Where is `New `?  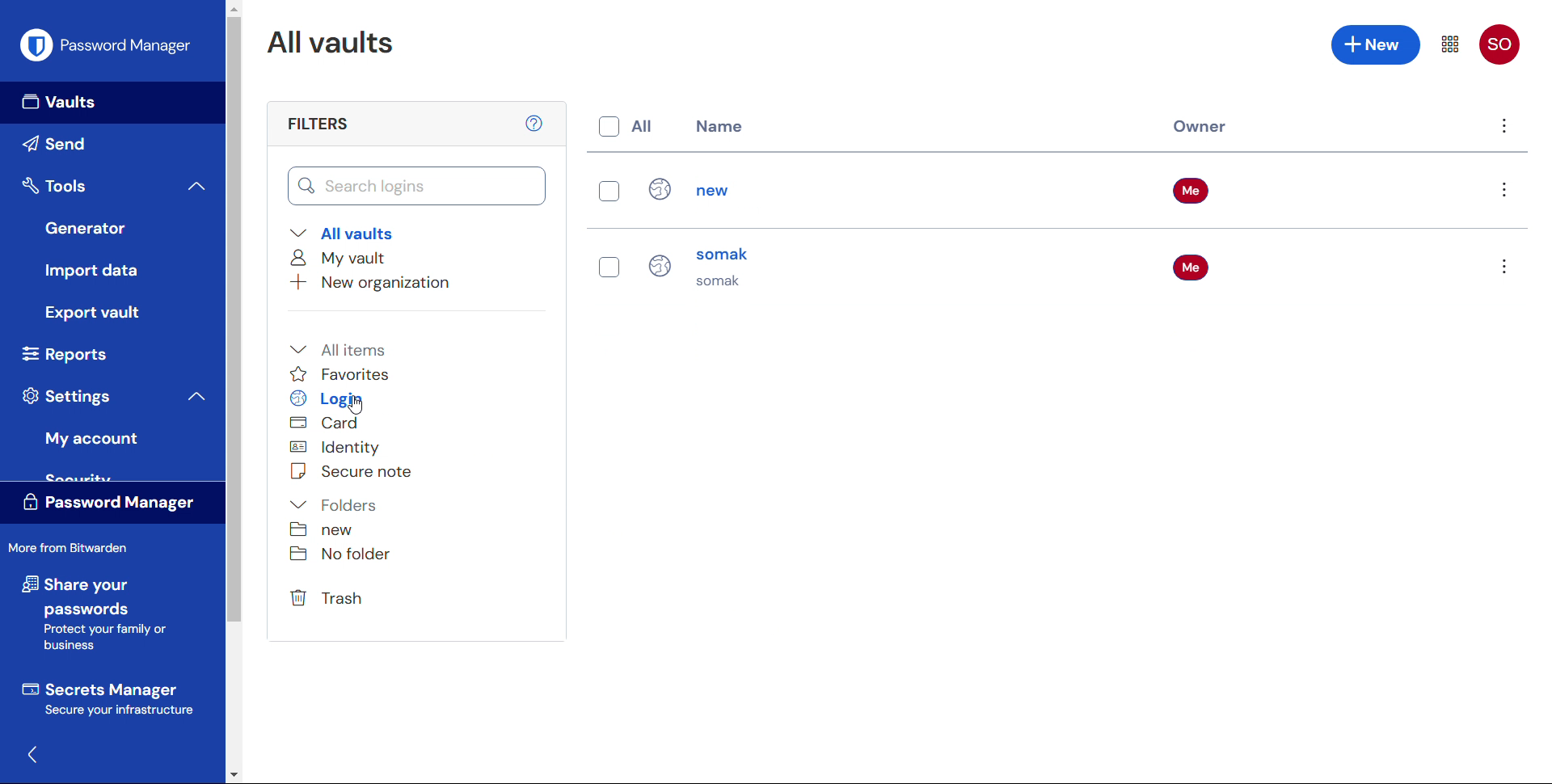
New  is located at coordinates (320, 529).